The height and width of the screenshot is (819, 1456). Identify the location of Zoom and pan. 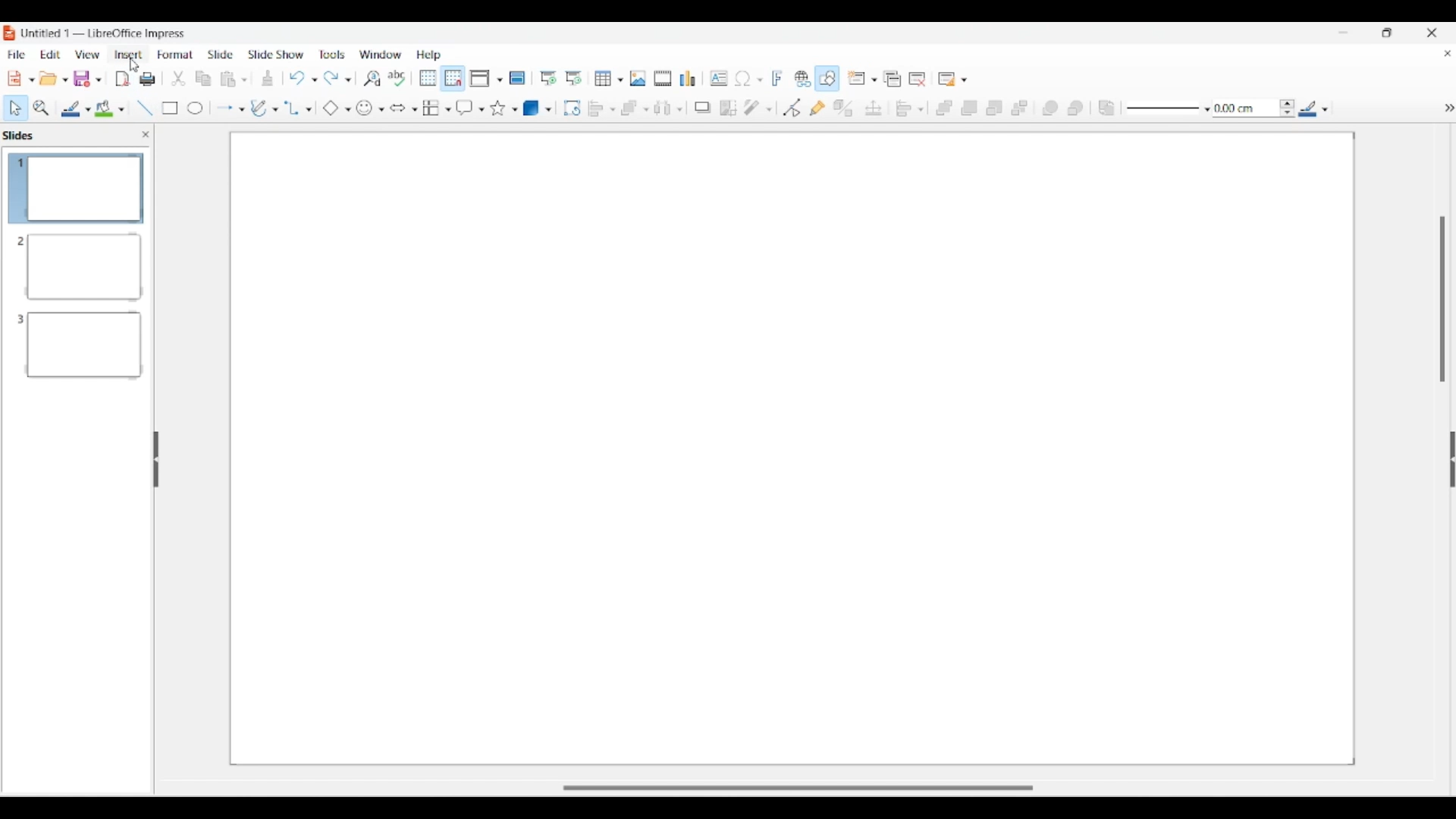
(42, 108).